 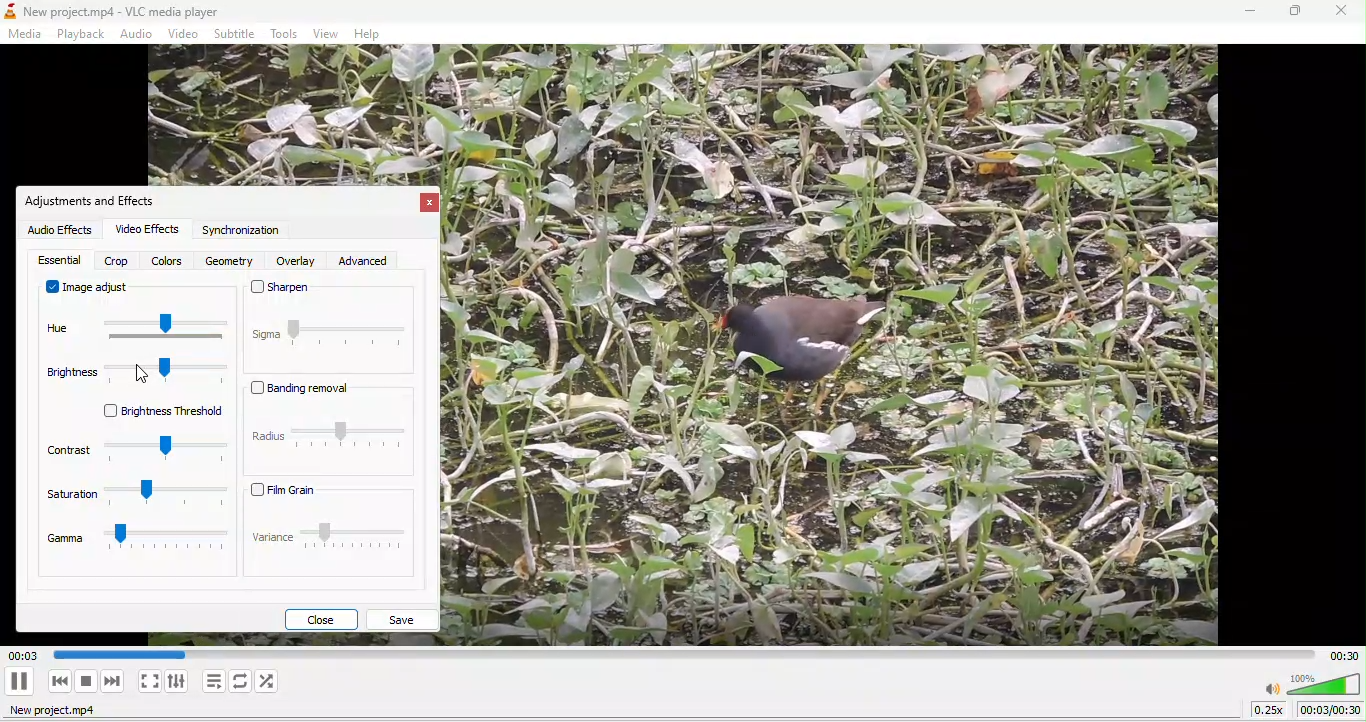 I want to click on close, so click(x=431, y=204).